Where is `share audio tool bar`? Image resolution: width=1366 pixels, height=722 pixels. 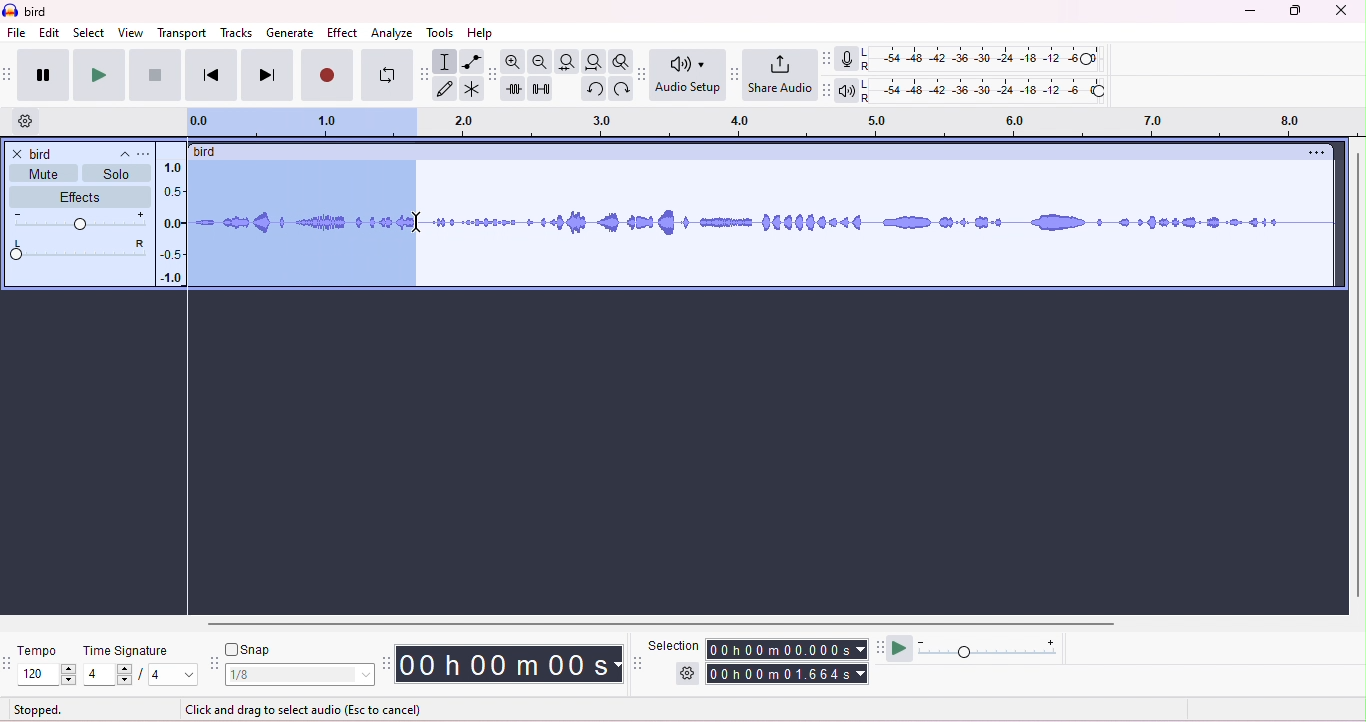
share audio tool bar is located at coordinates (736, 73).